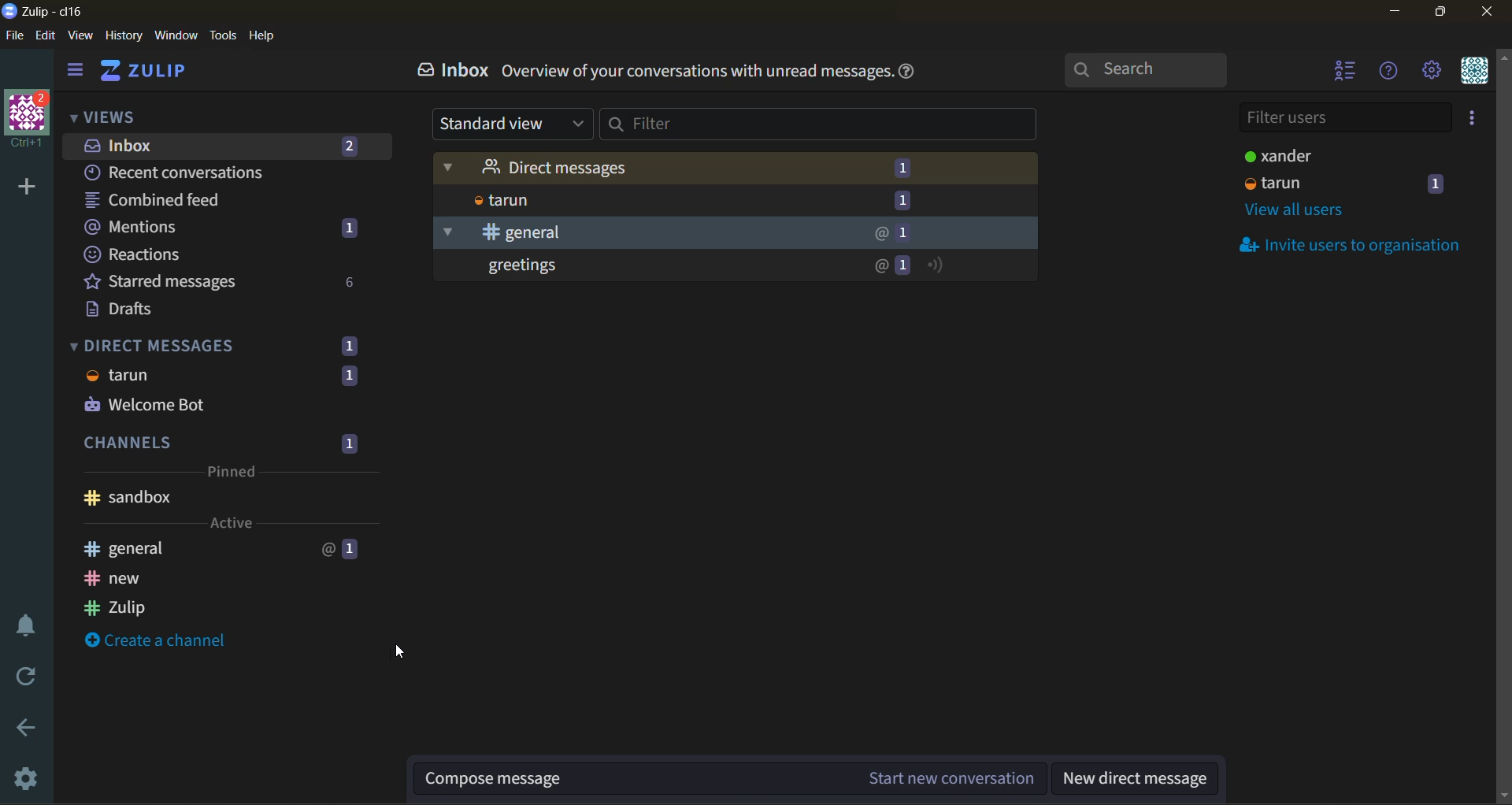  Describe the element at coordinates (124, 36) in the screenshot. I see `history` at that location.